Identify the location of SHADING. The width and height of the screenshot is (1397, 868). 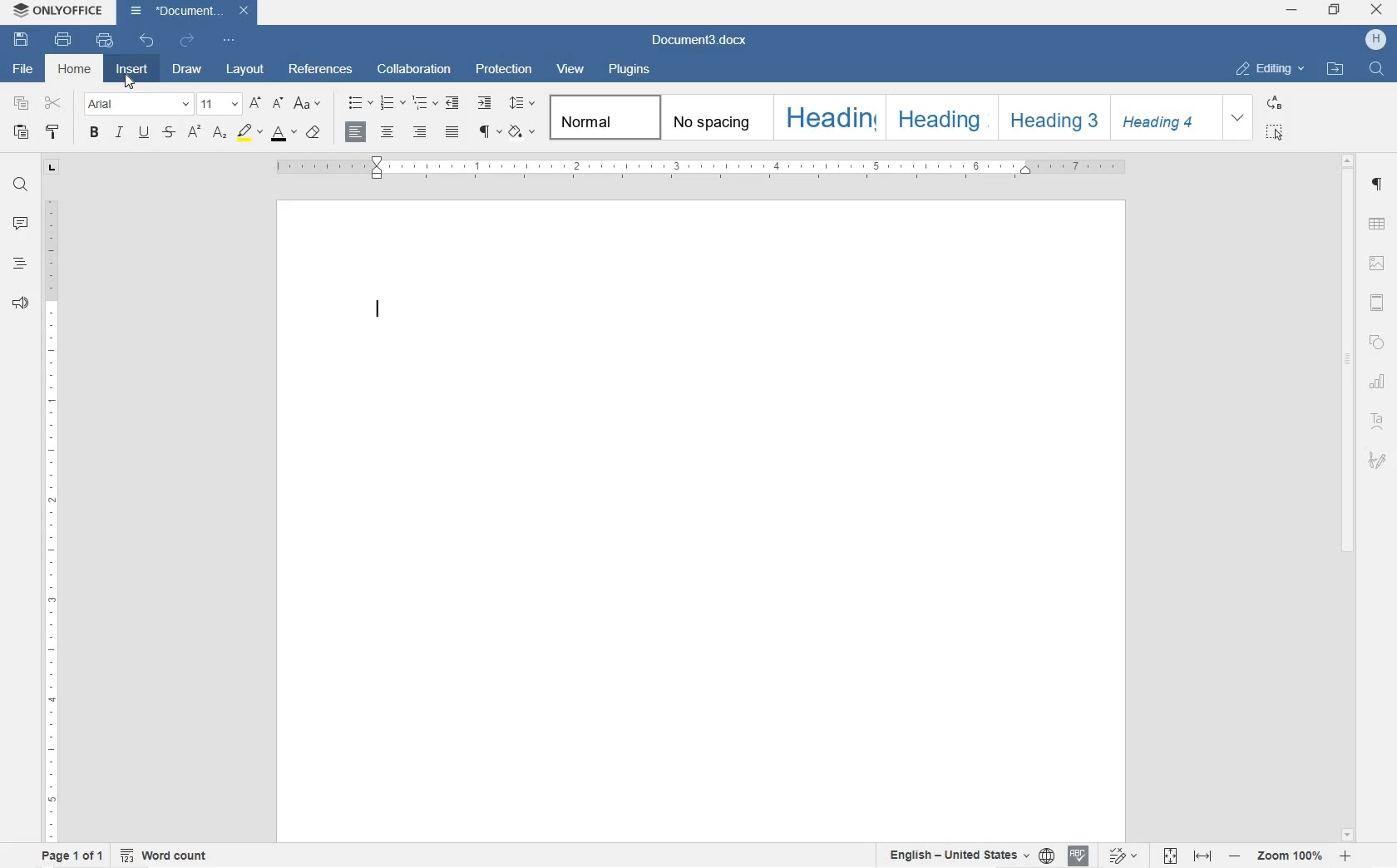
(522, 133).